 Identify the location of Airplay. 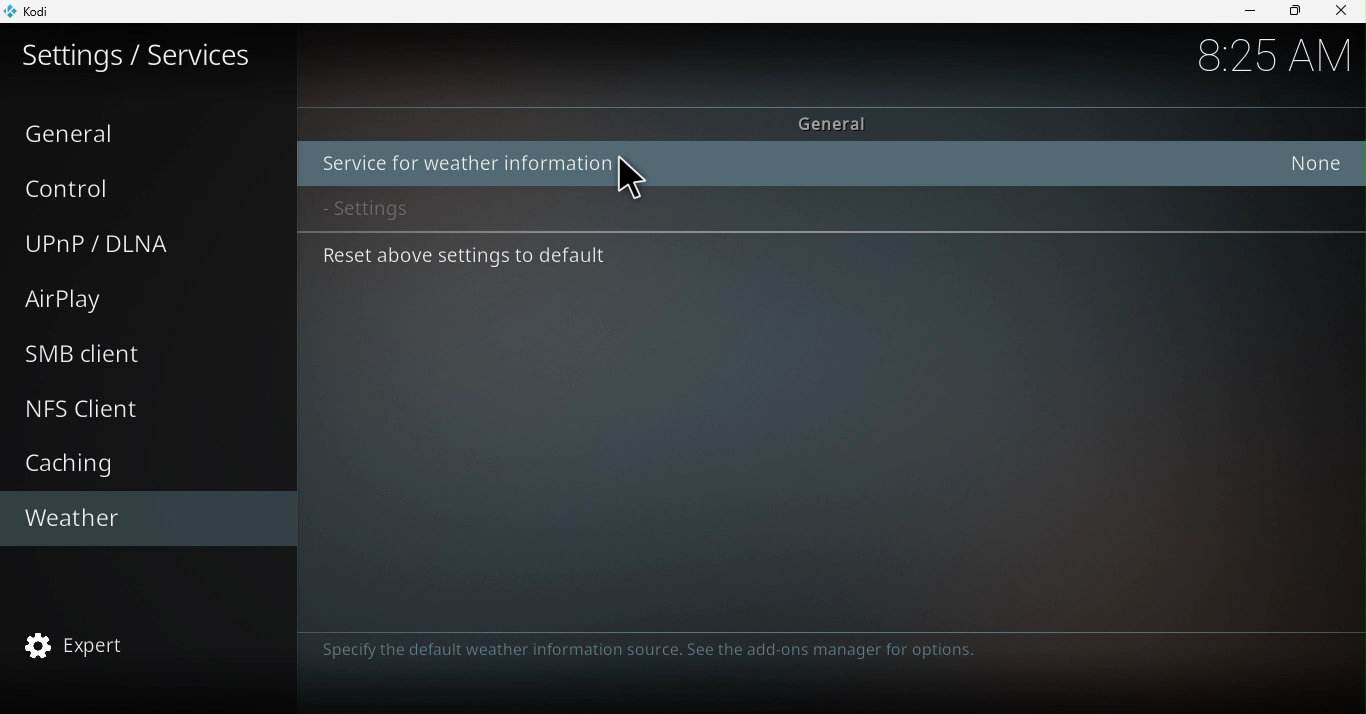
(137, 299).